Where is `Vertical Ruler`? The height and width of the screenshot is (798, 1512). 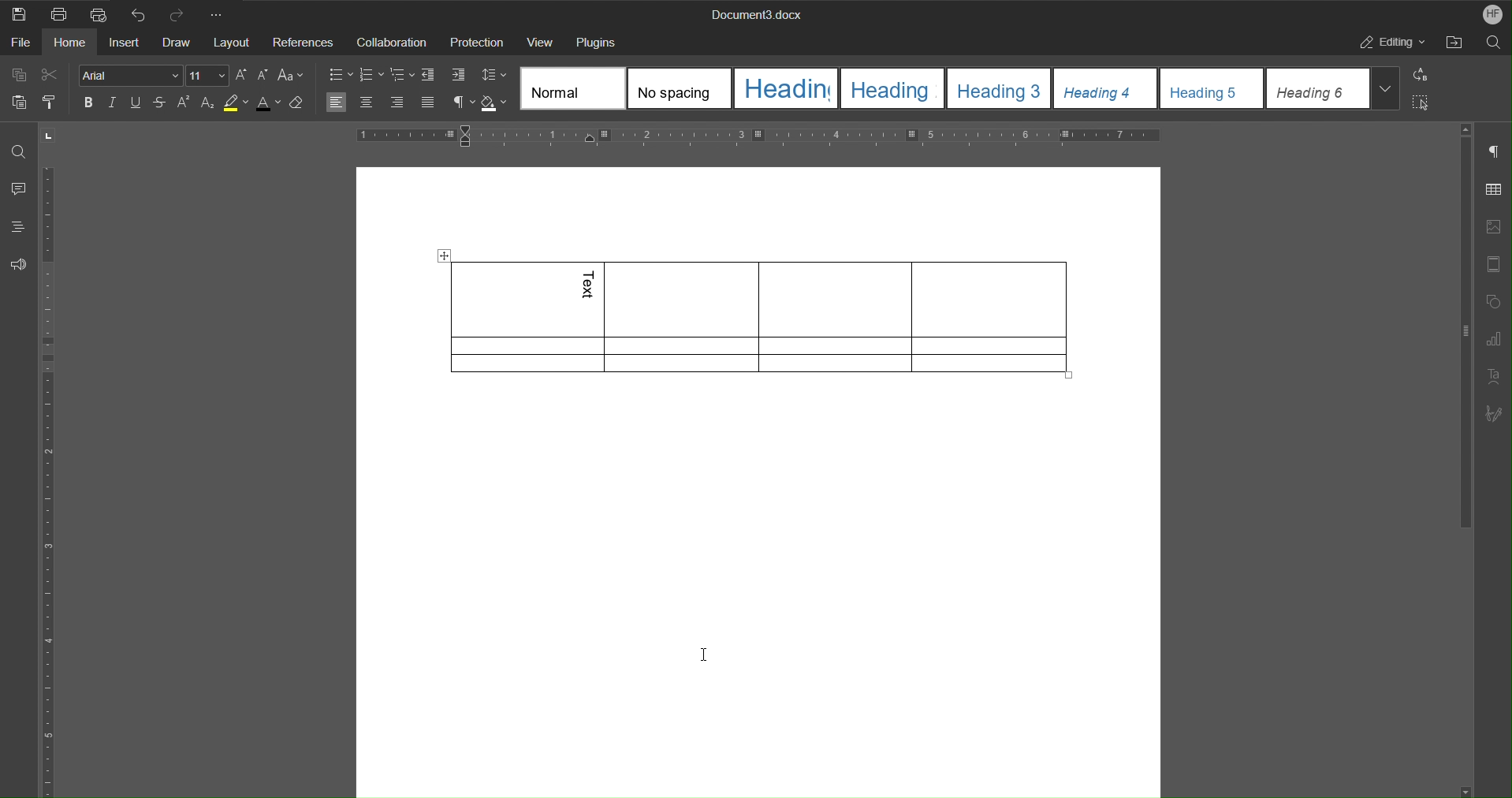
Vertical Ruler is located at coordinates (51, 482).